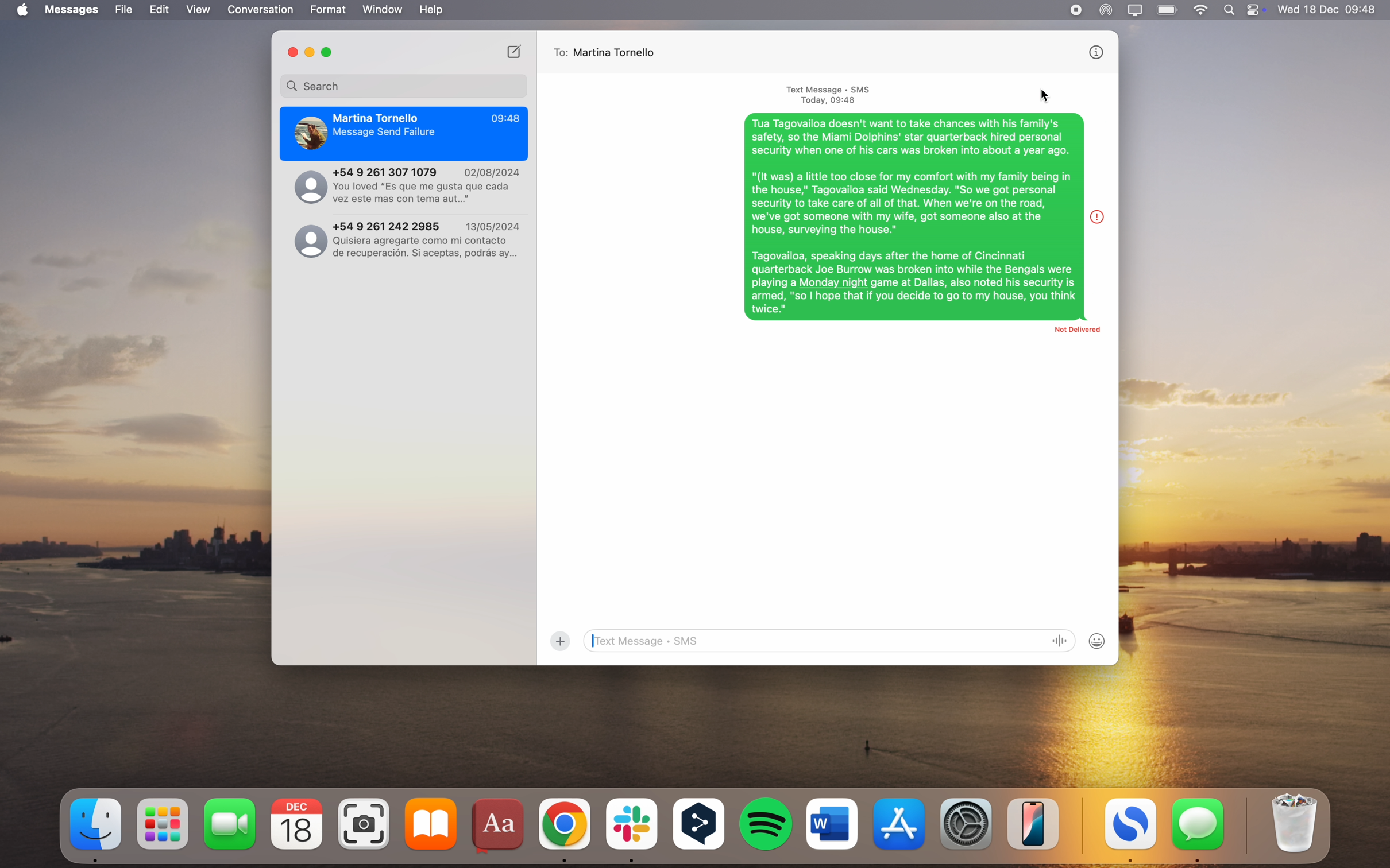 Image resolution: width=1390 pixels, height=868 pixels. Describe the element at coordinates (230, 823) in the screenshot. I see `facetime` at that location.